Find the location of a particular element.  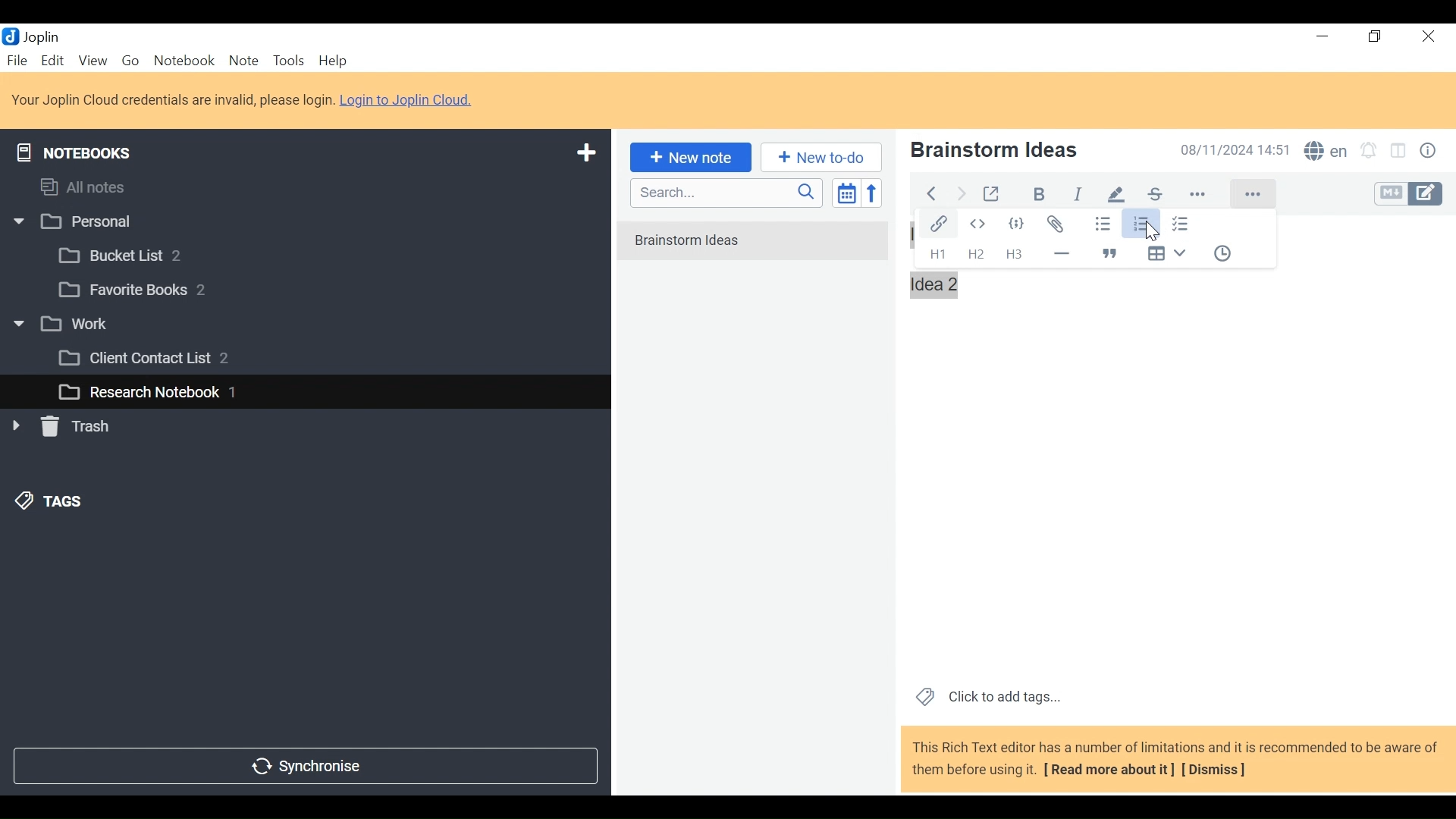

Forward is located at coordinates (962, 192).